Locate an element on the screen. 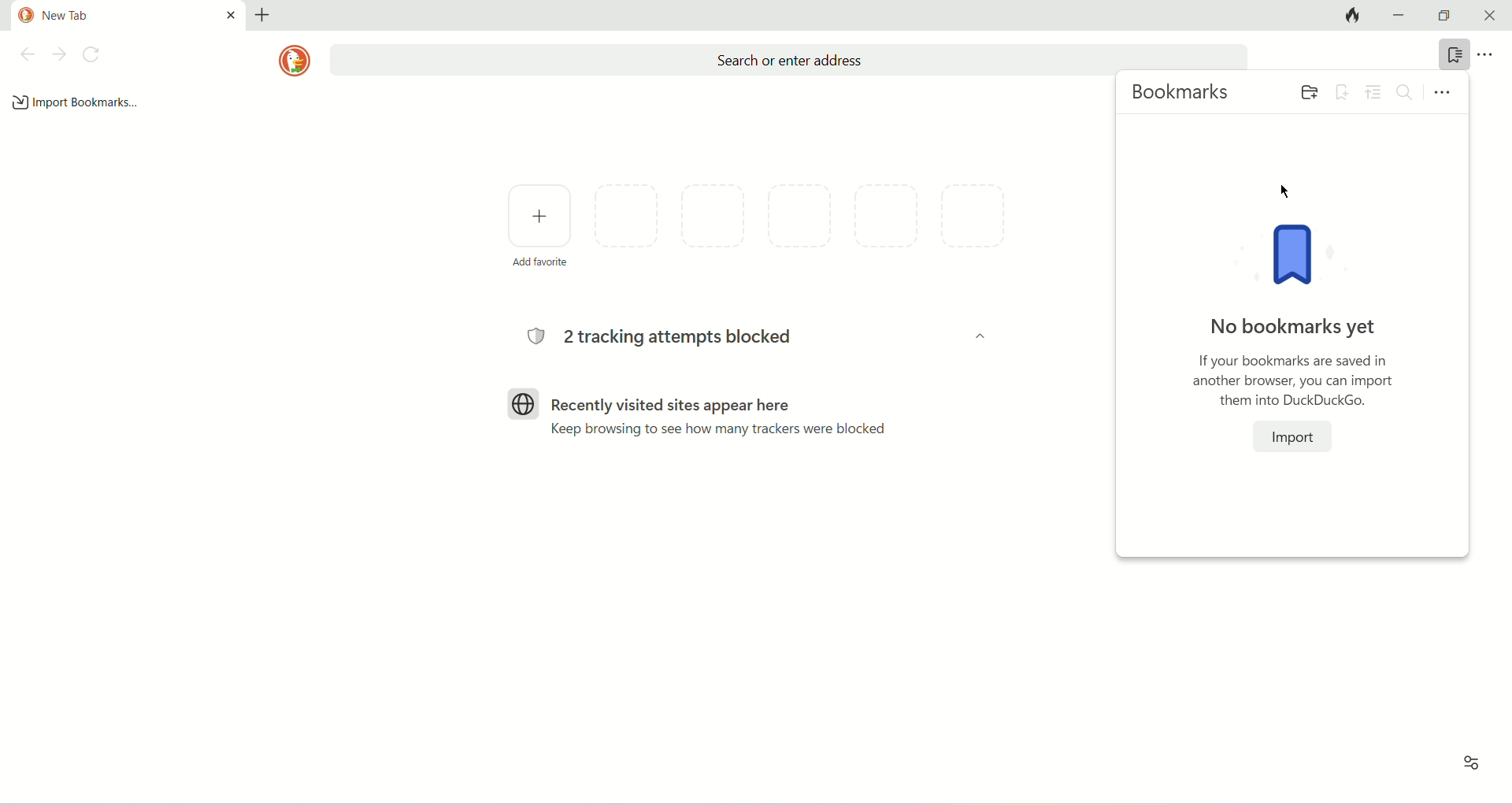  add bookmark is located at coordinates (1343, 91).